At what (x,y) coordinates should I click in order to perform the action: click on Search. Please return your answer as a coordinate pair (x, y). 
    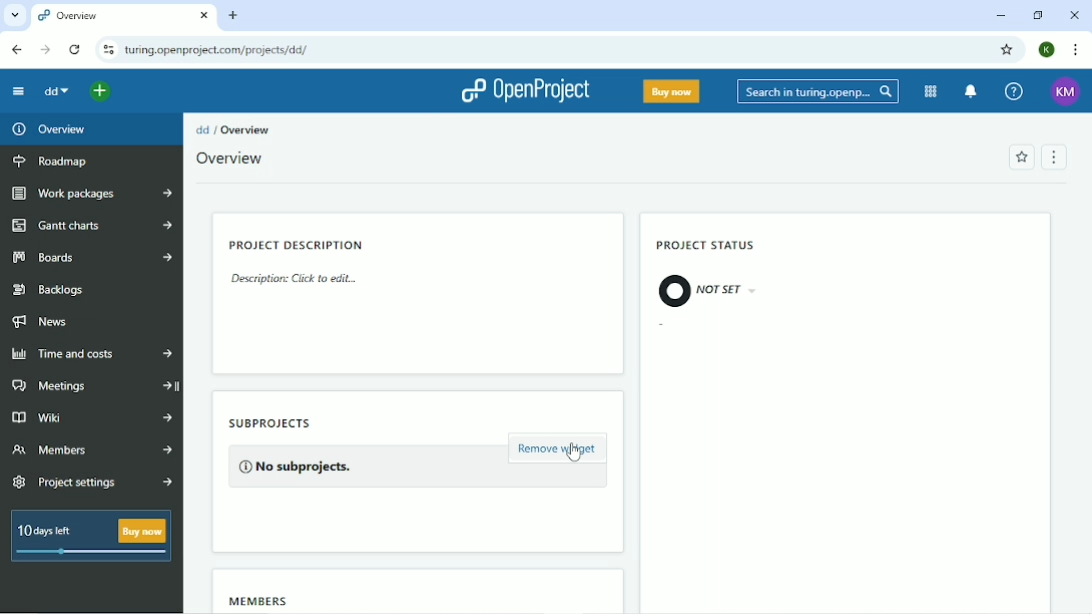
    Looking at the image, I should click on (818, 93).